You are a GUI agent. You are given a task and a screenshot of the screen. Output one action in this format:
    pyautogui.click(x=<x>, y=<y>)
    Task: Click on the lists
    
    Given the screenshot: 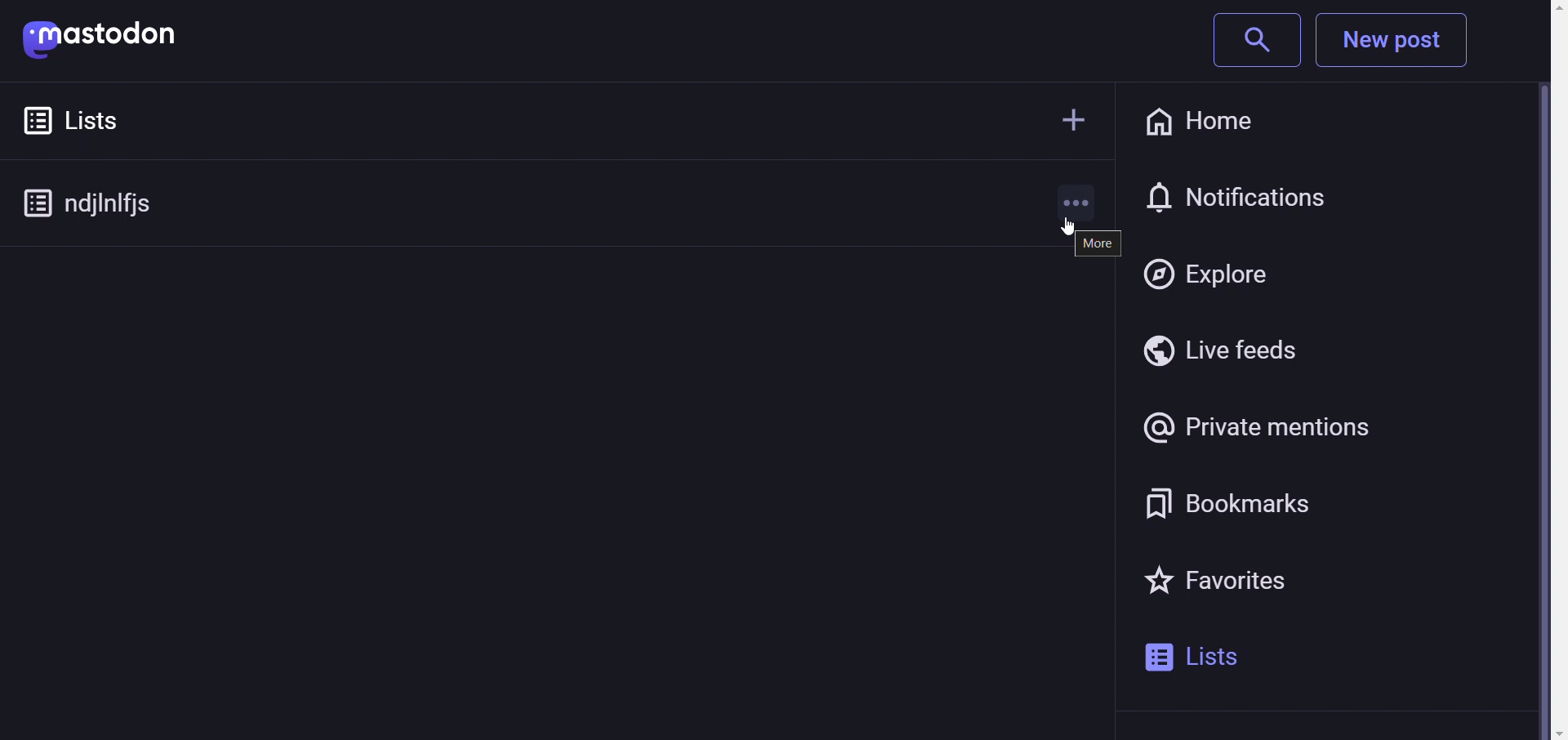 What is the action you would take?
    pyautogui.click(x=1201, y=658)
    